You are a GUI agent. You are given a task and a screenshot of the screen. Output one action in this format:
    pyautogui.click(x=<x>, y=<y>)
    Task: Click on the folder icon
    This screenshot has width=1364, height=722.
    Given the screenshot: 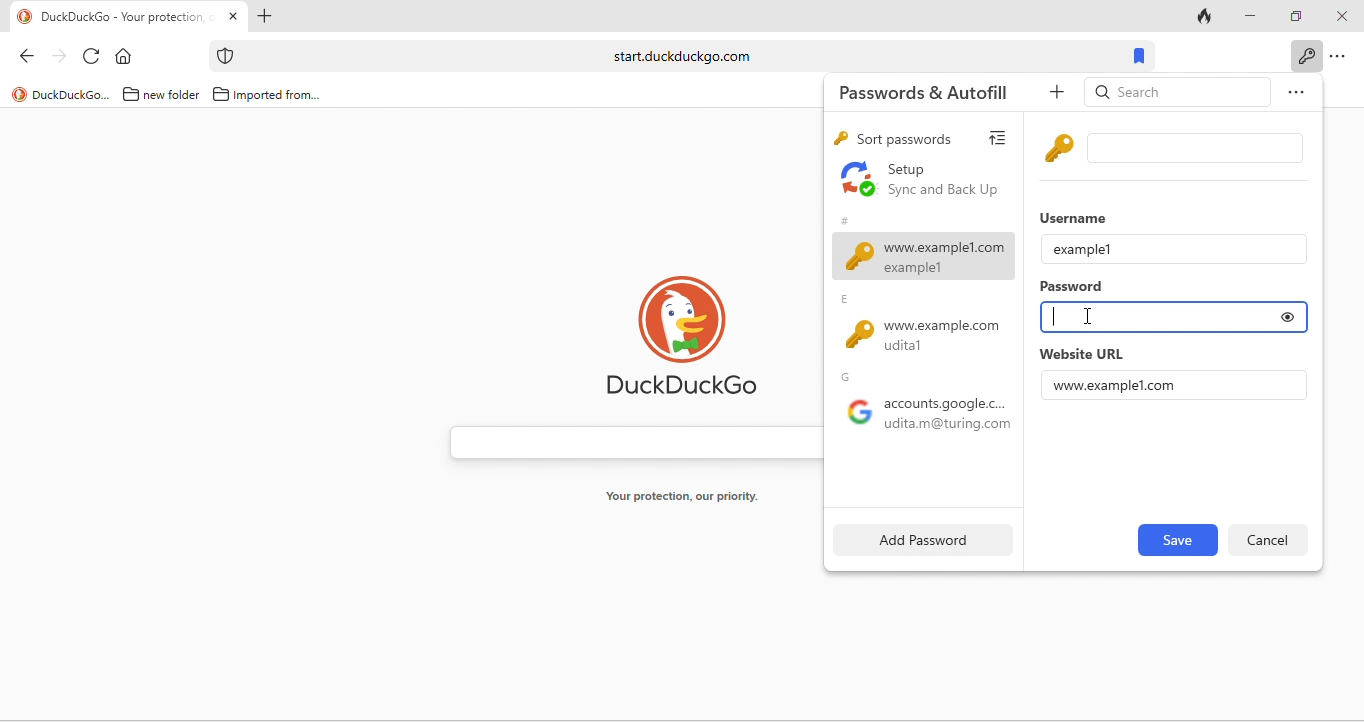 What is the action you would take?
    pyautogui.click(x=221, y=94)
    